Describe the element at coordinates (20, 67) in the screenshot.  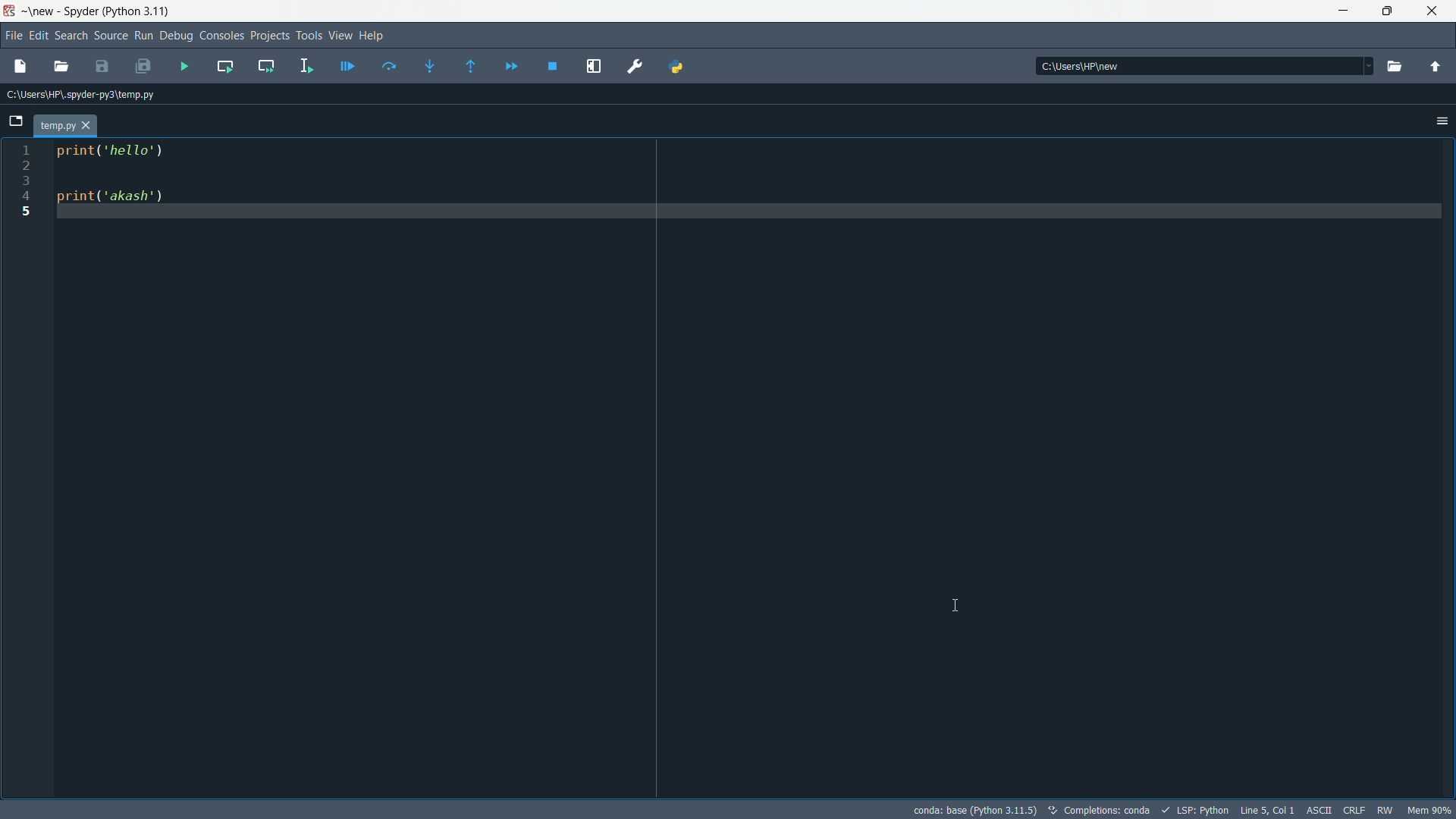
I see `new file` at that location.